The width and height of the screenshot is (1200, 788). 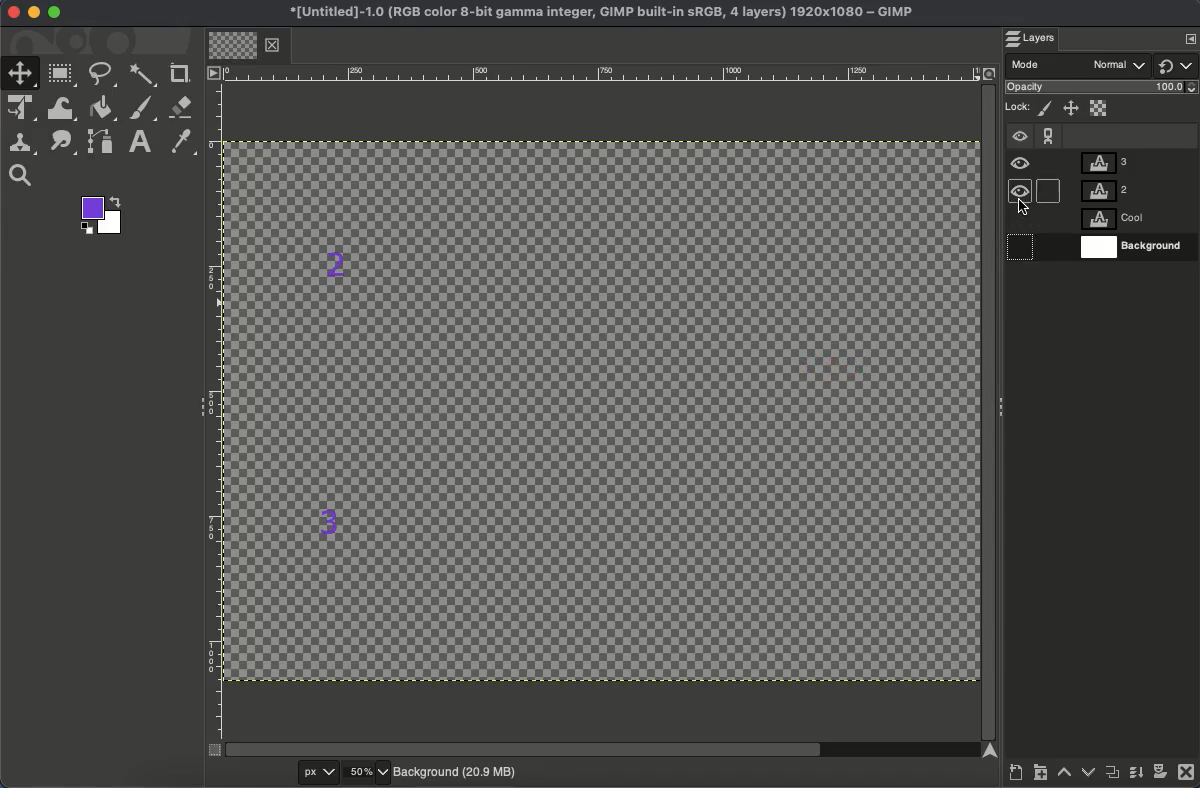 What do you see at coordinates (61, 143) in the screenshot?
I see `Smudge` at bounding box center [61, 143].